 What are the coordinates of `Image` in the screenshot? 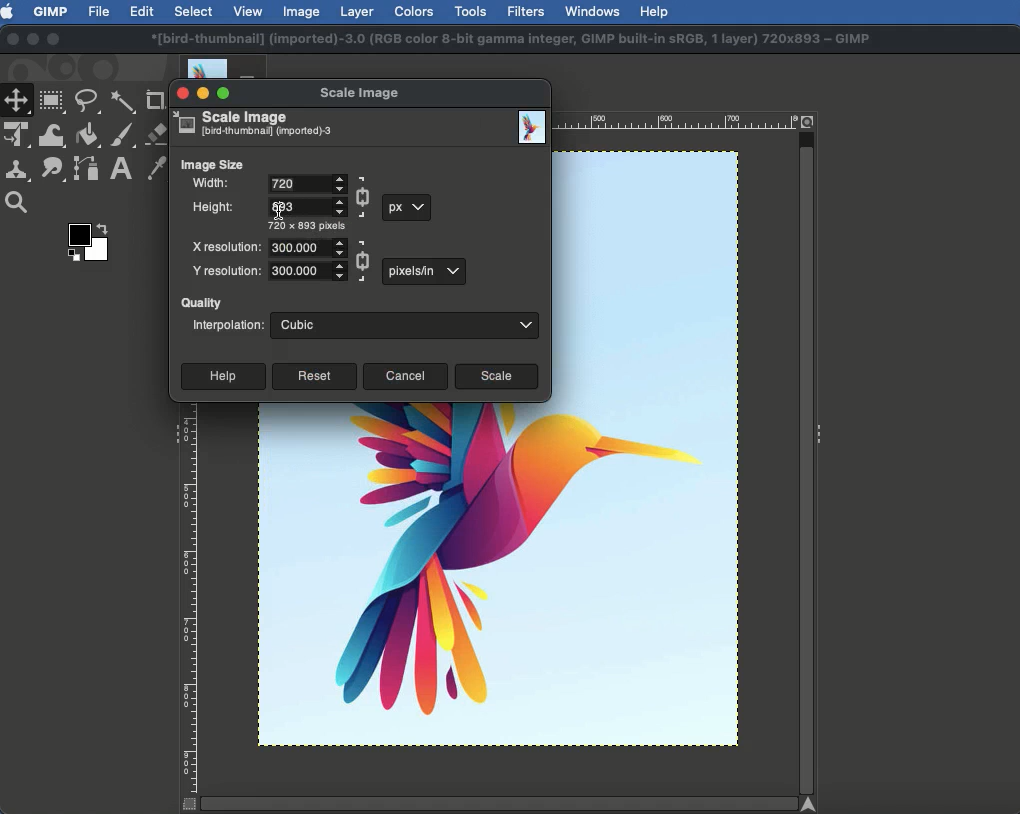 It's located at (301, 13).